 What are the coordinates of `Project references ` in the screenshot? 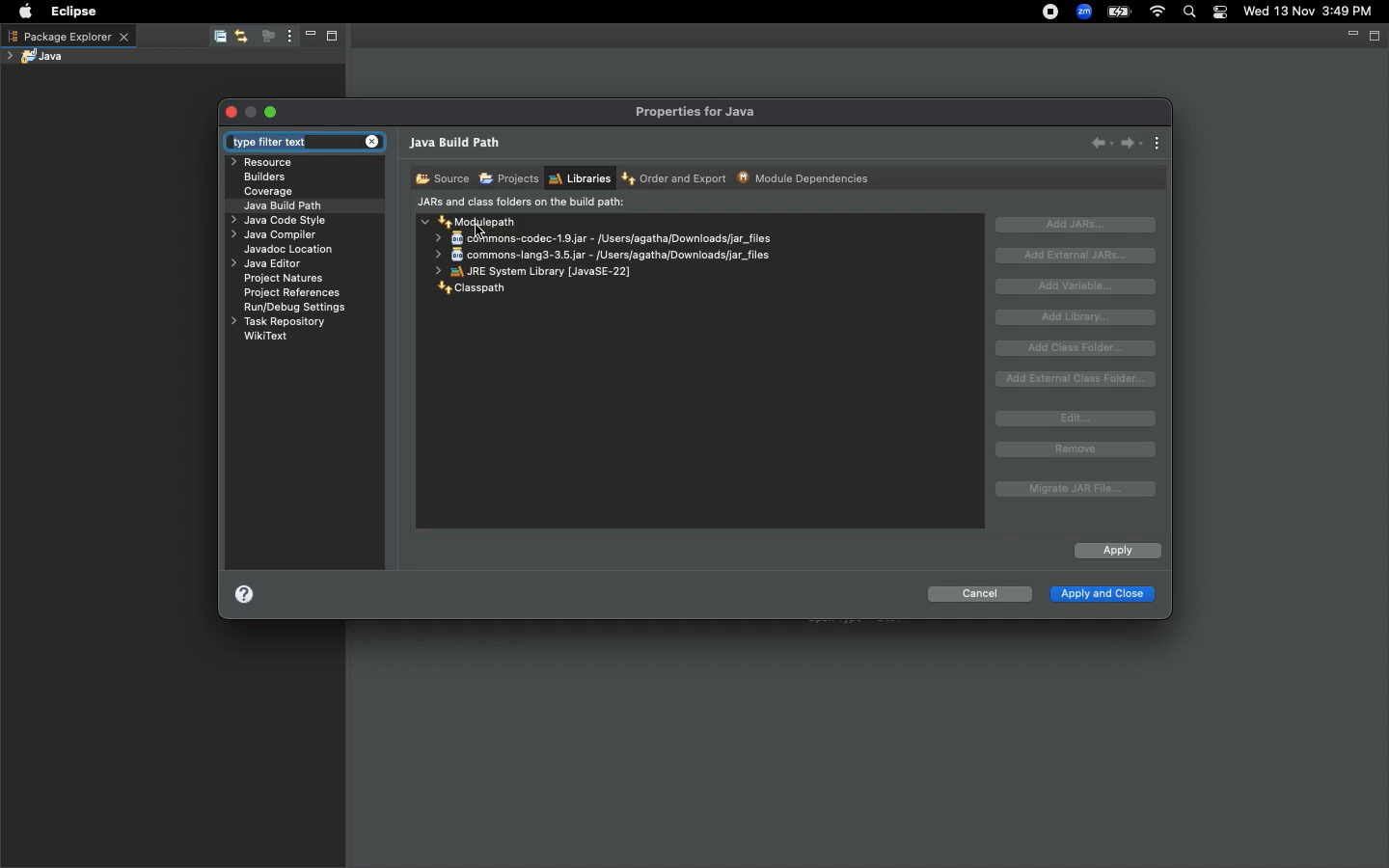 It's located at (294, 293).